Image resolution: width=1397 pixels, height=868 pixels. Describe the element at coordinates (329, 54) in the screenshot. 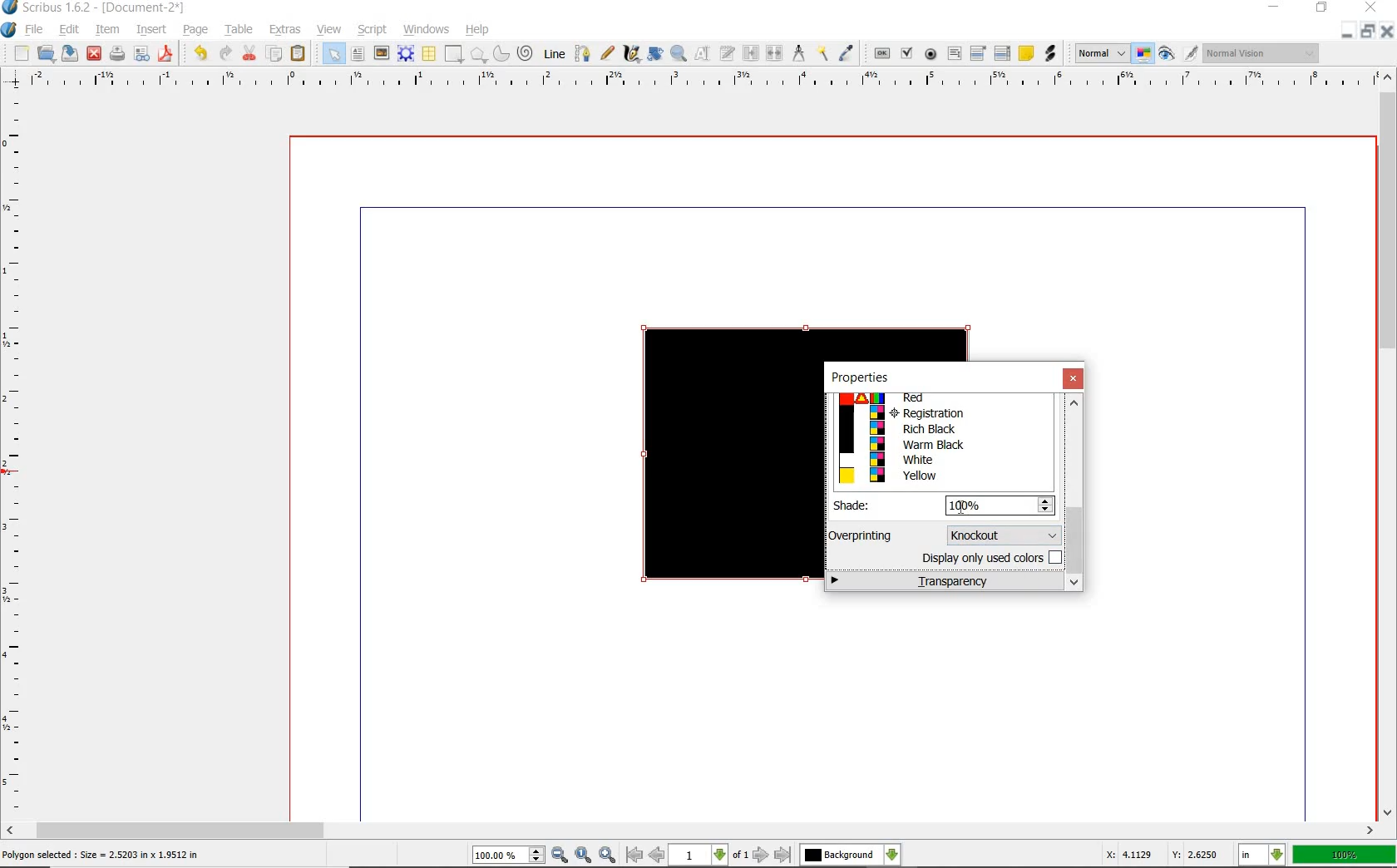

I see `select item` at that location.